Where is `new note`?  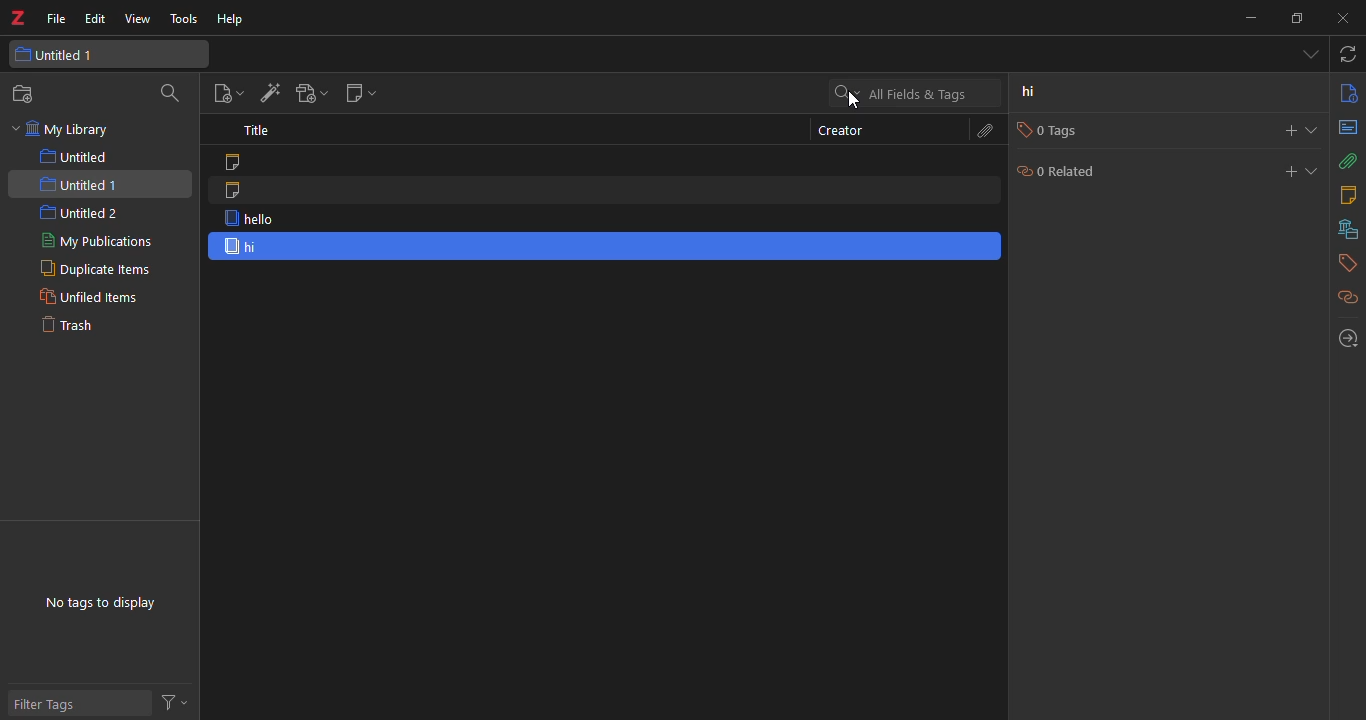
new note is located at coordinates (363, 93).